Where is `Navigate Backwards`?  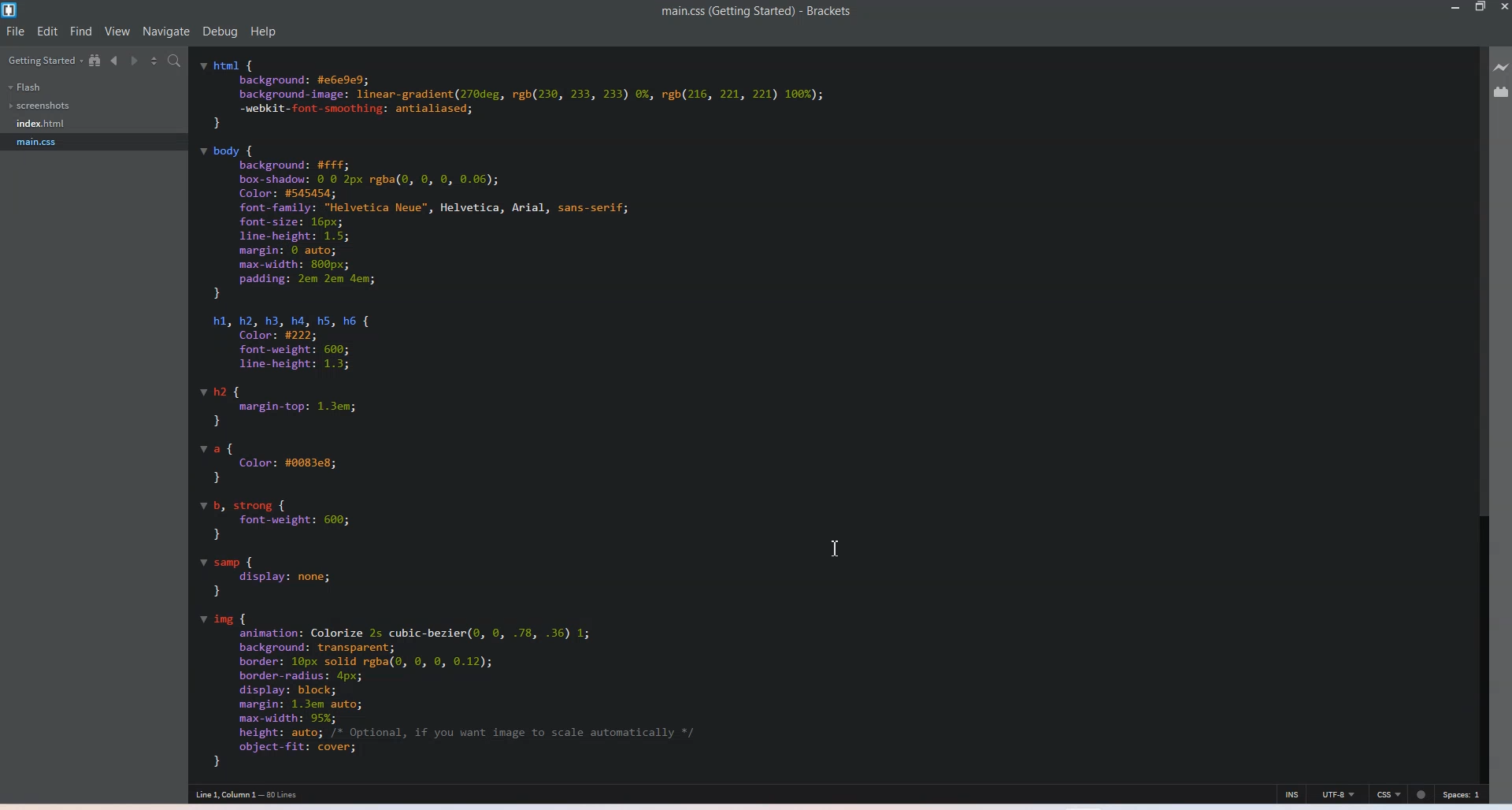 Navigate Backwards is located at coordinates (117, 61).